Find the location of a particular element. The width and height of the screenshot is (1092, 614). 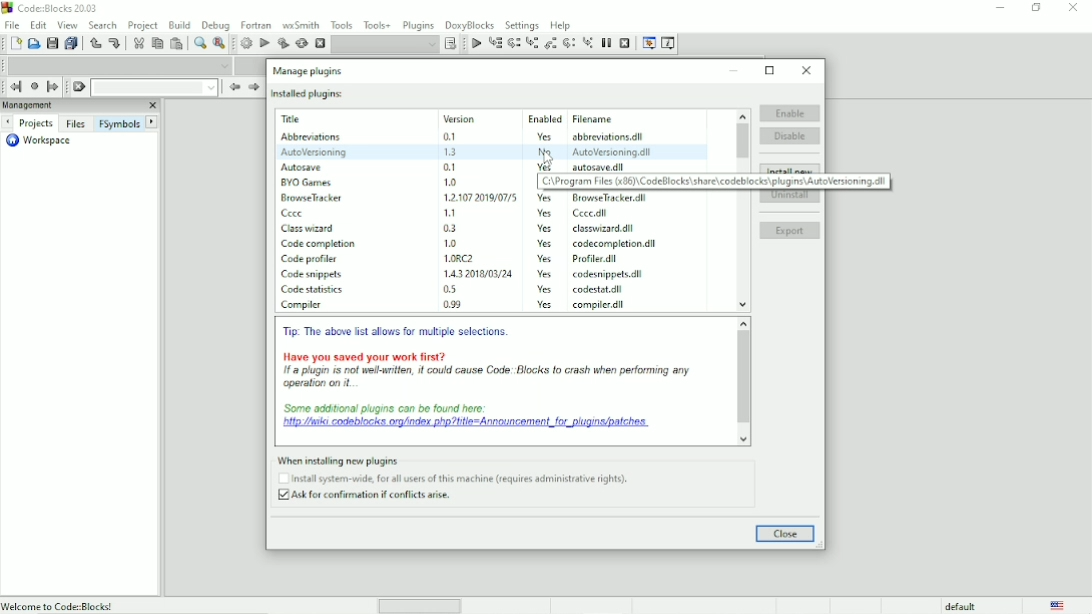

Debugging windows is located at coordinates (649, 44).